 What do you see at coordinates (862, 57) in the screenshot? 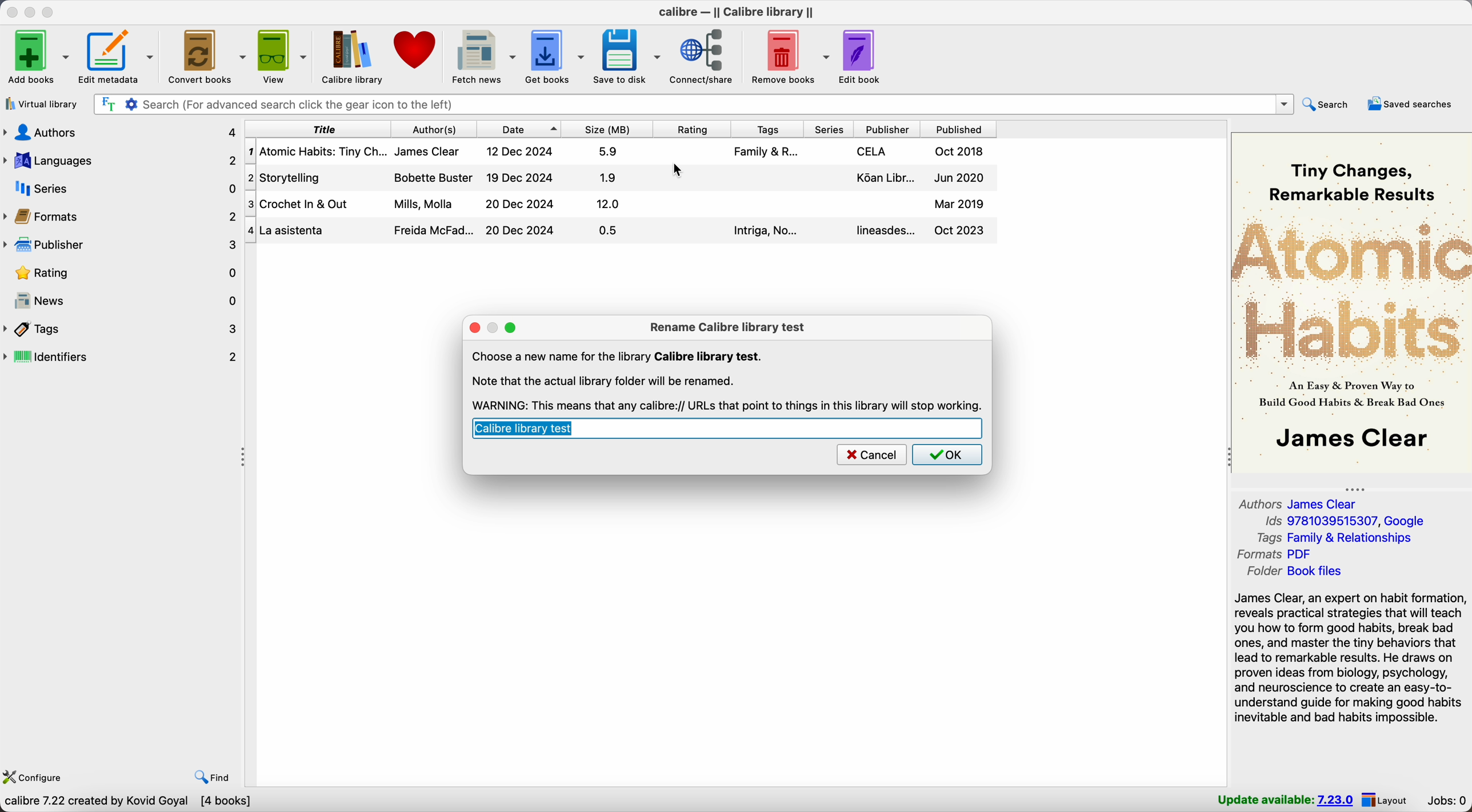
I see `edit book` at bounding box center [862, 57].